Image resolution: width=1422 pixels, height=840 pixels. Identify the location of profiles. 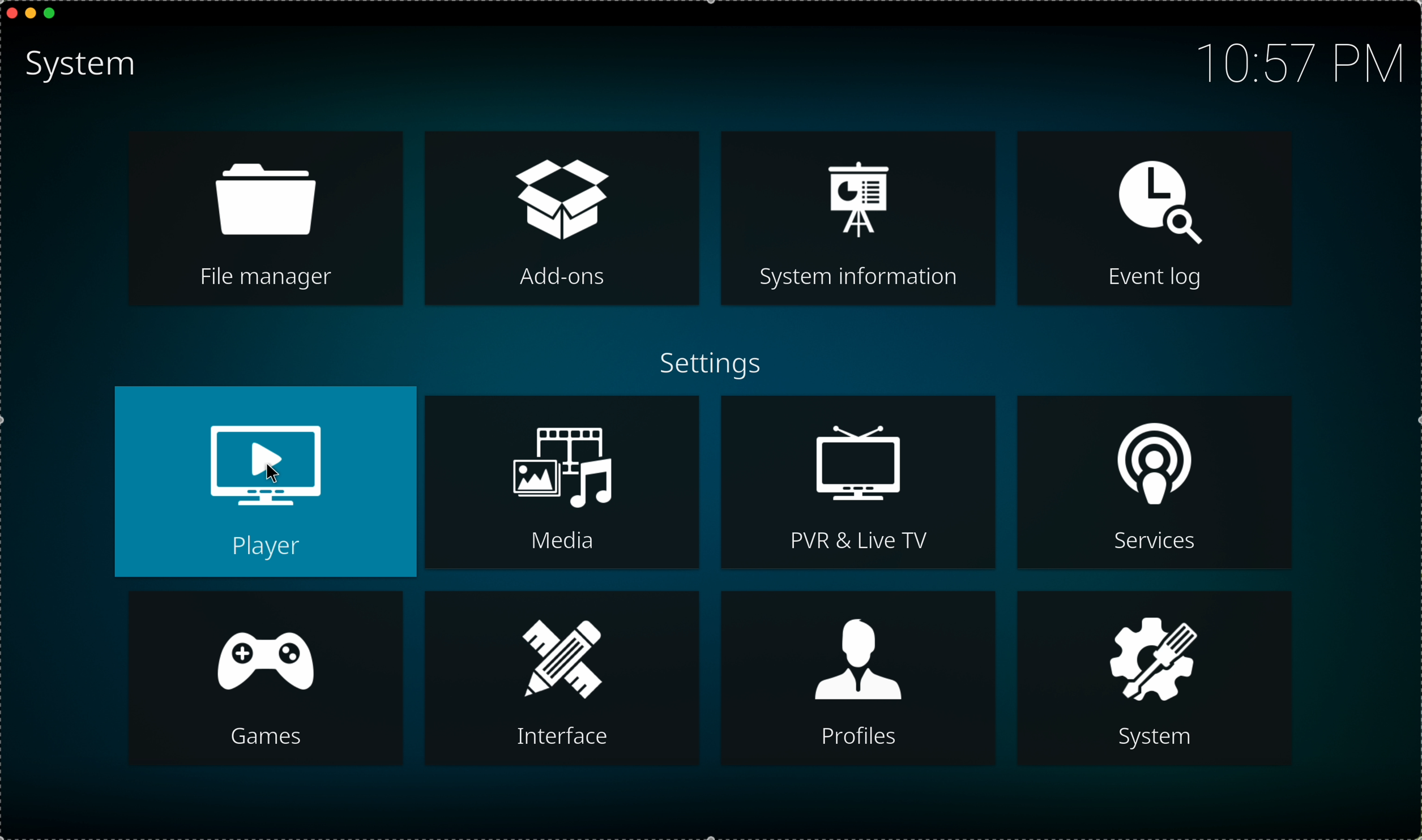
(857, 676).